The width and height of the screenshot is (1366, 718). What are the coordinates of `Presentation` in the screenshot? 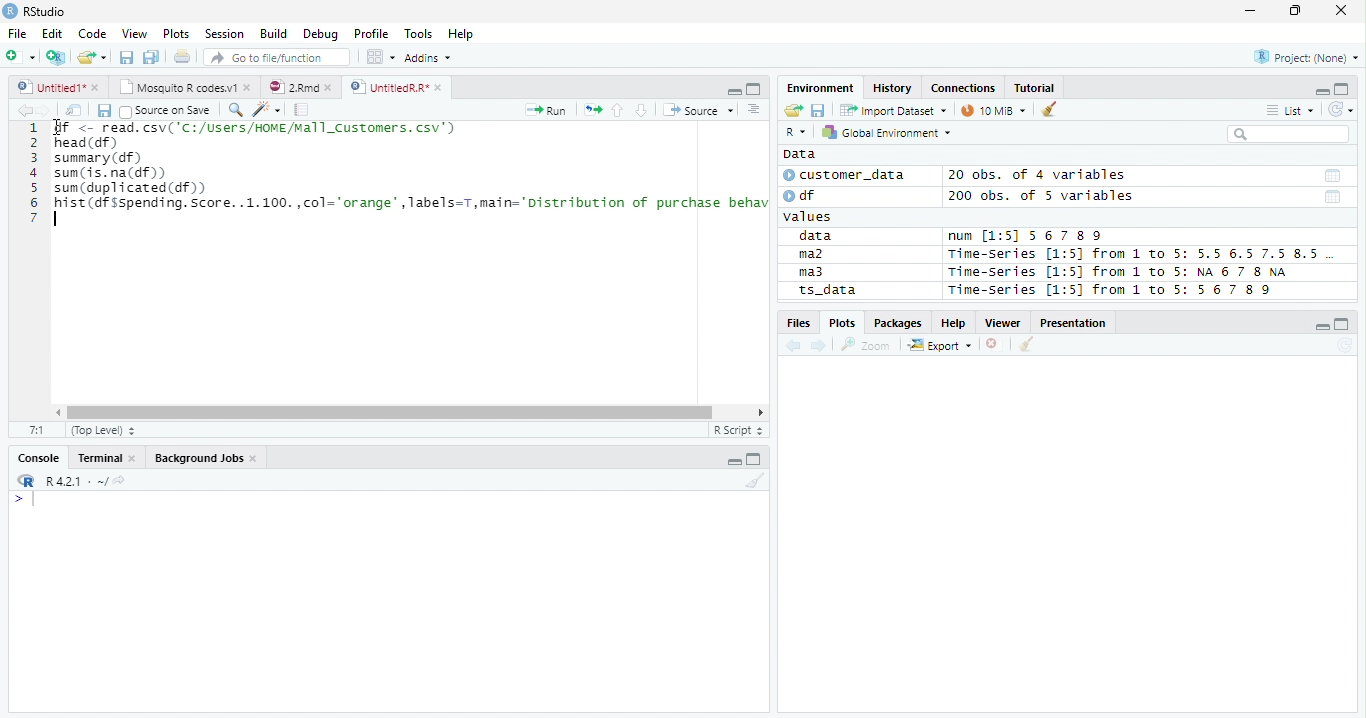 It's located at (1076, 323).